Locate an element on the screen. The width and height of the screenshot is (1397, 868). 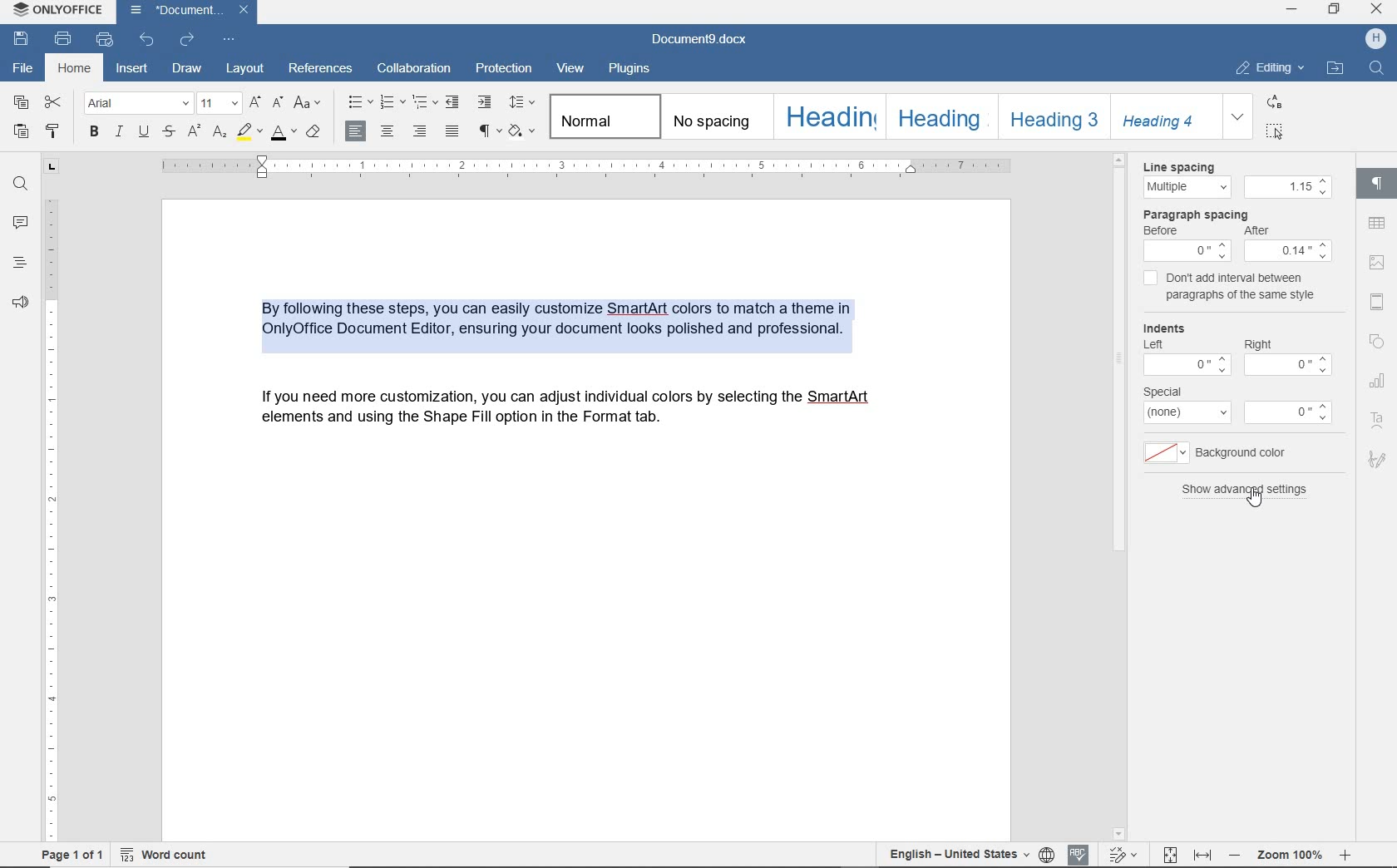
text language is located at coordinates (955, 851).